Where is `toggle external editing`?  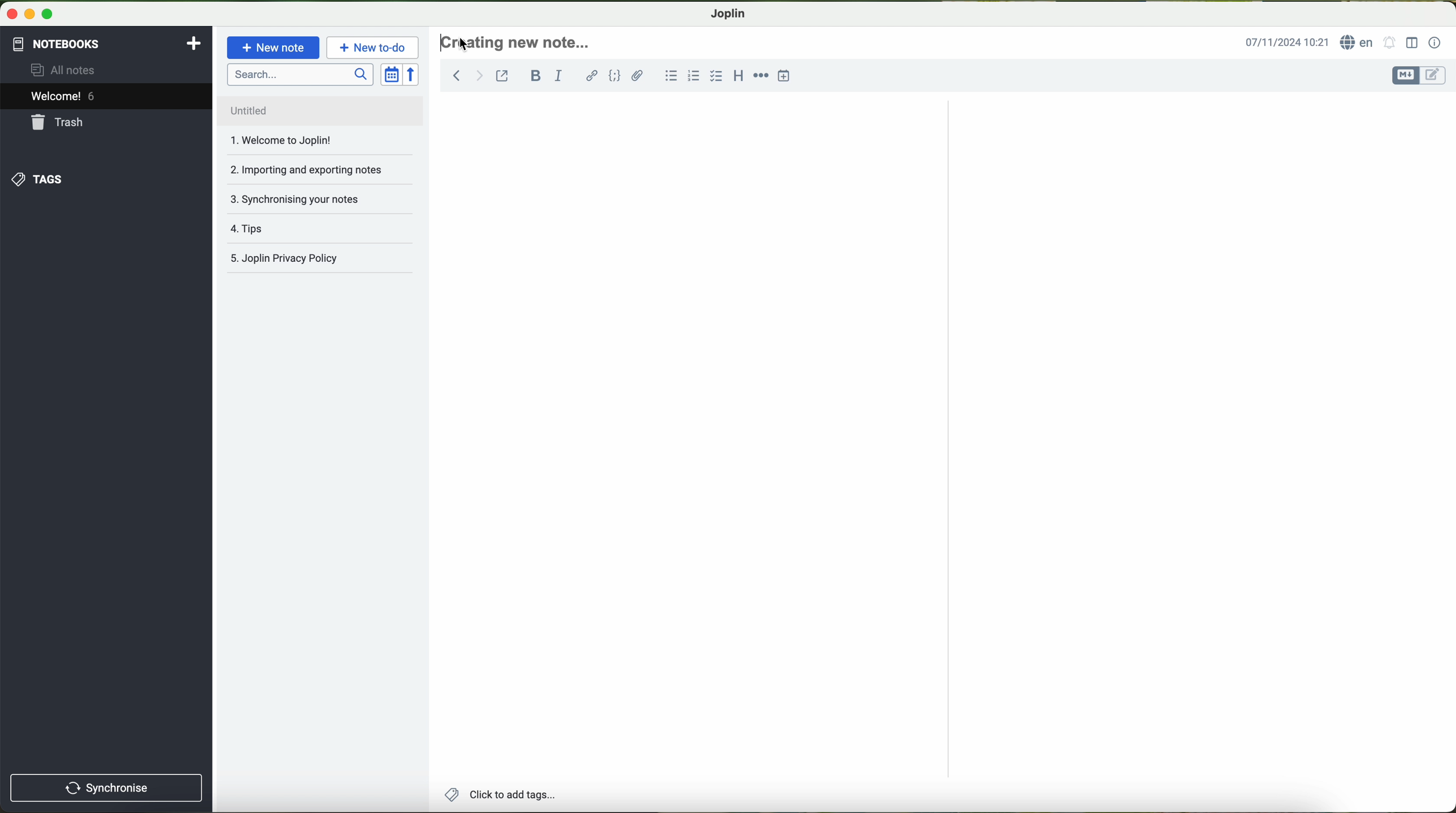
toggle external editing is located at coordinates (502, 75).